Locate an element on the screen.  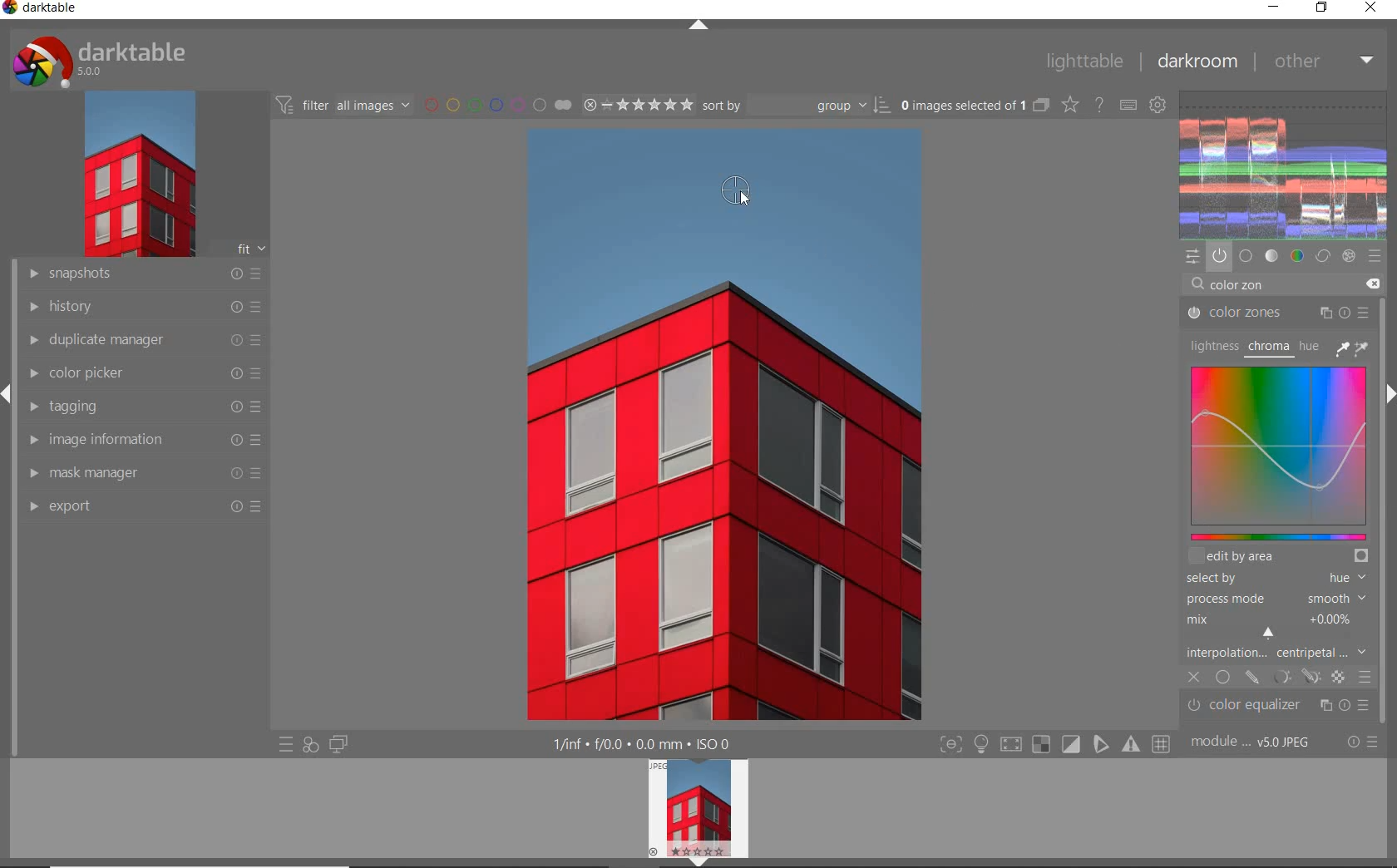
color picker is located at coordinates (142, 376).